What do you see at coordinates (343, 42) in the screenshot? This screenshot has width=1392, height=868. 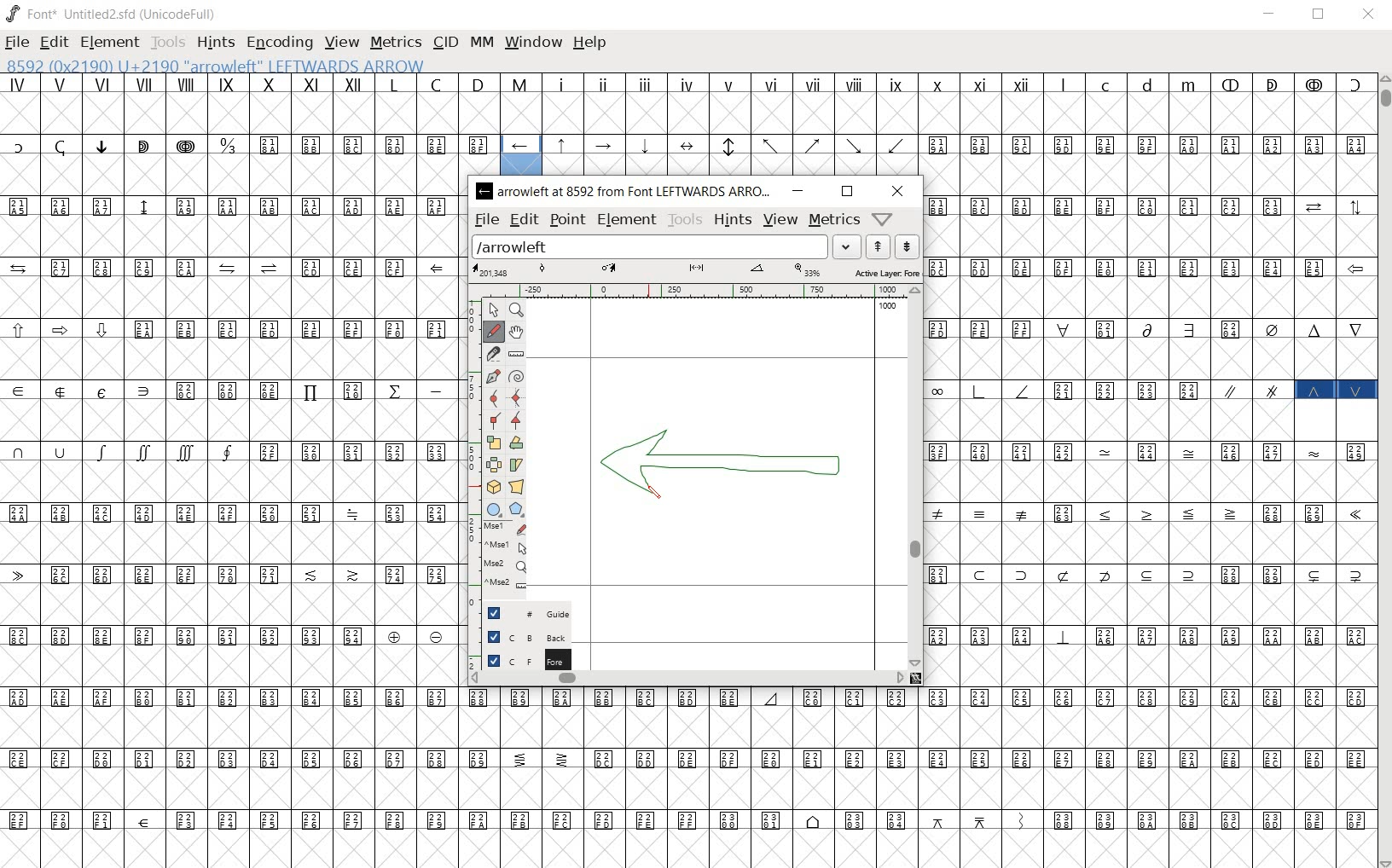 I see `view` at bounding box center [343, 42].